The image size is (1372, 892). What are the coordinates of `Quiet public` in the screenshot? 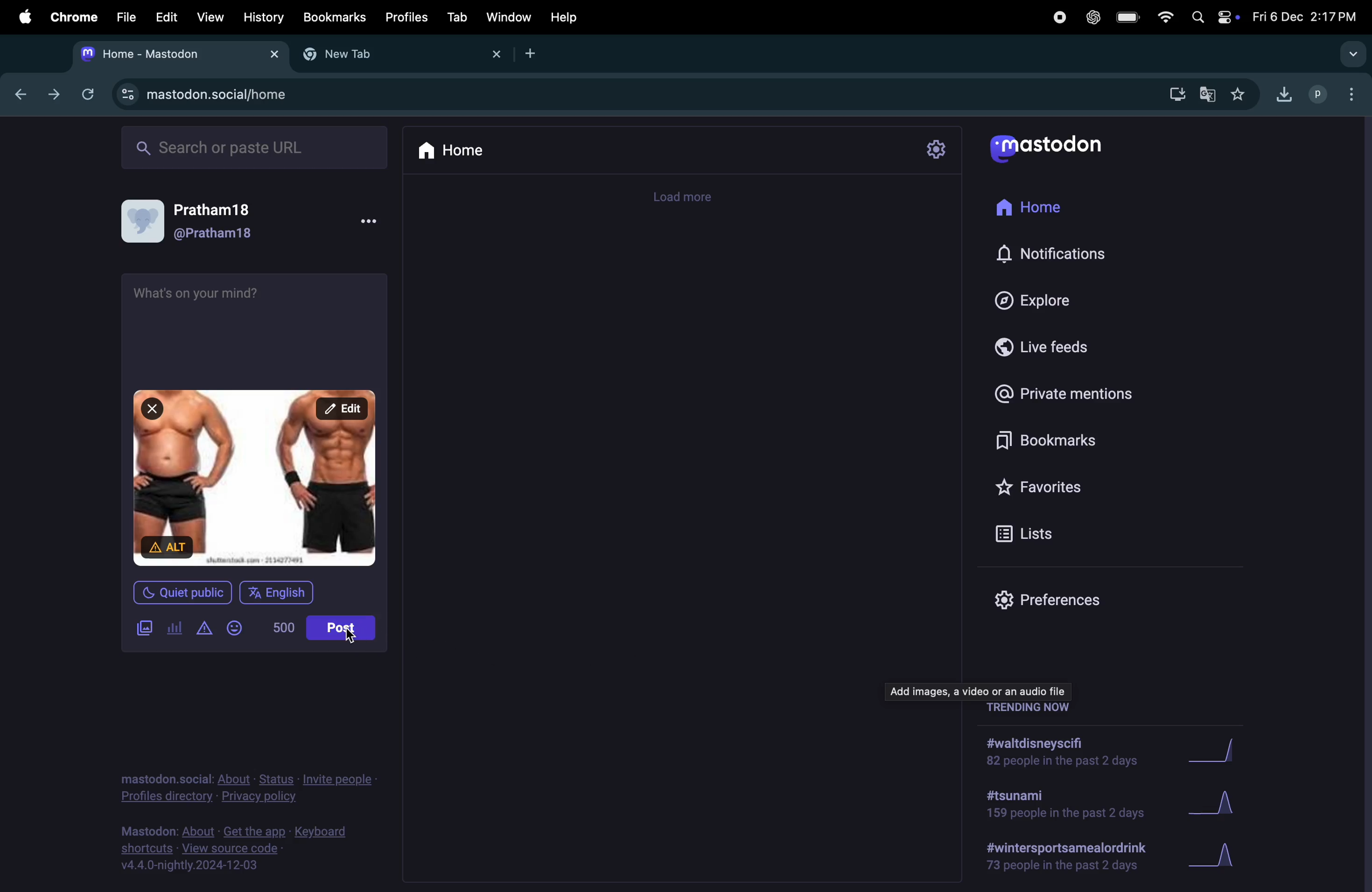 It's located at (184, 591).